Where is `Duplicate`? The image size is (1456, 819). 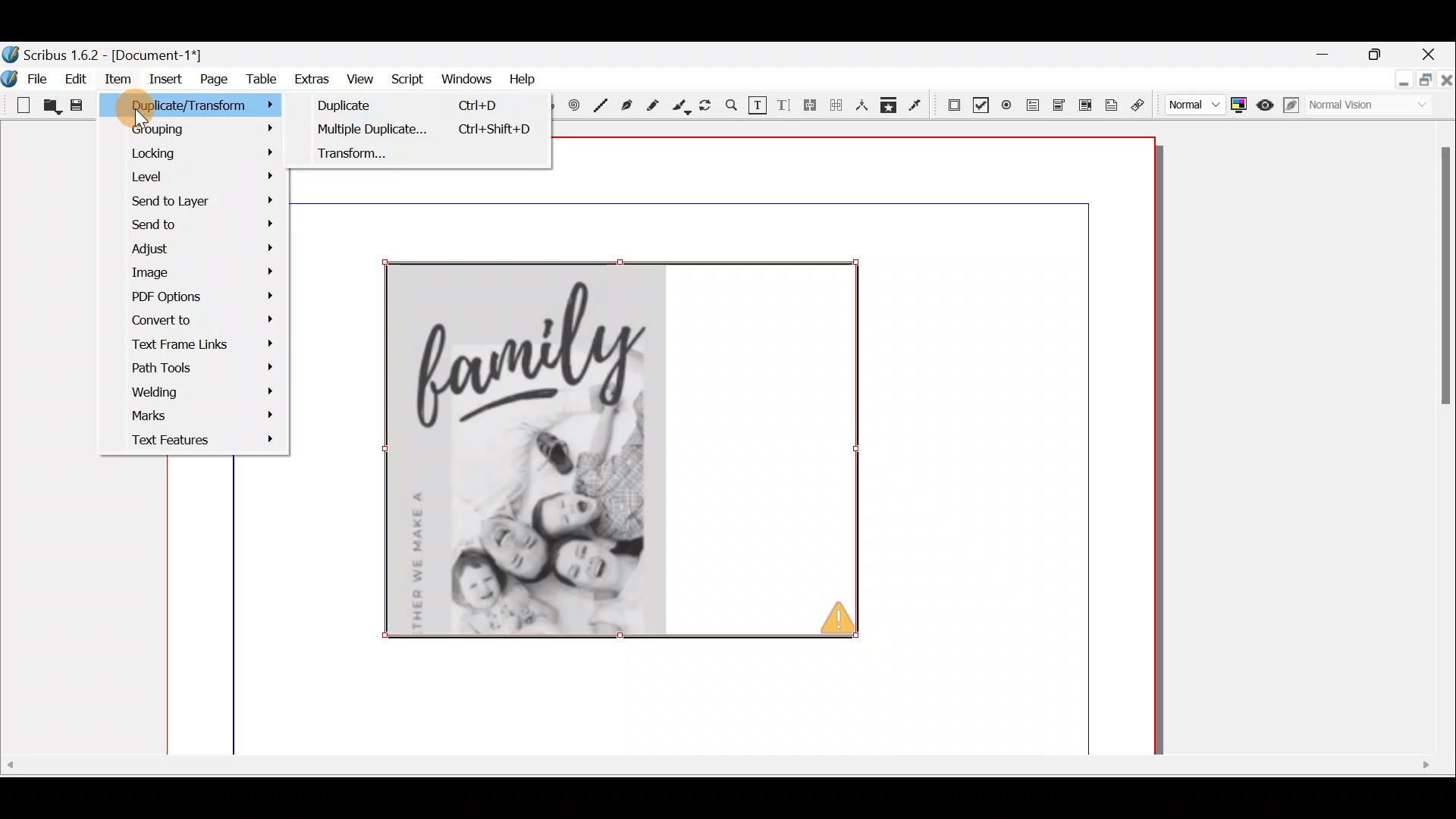 Duplicate is located at coordinates (427, 130).